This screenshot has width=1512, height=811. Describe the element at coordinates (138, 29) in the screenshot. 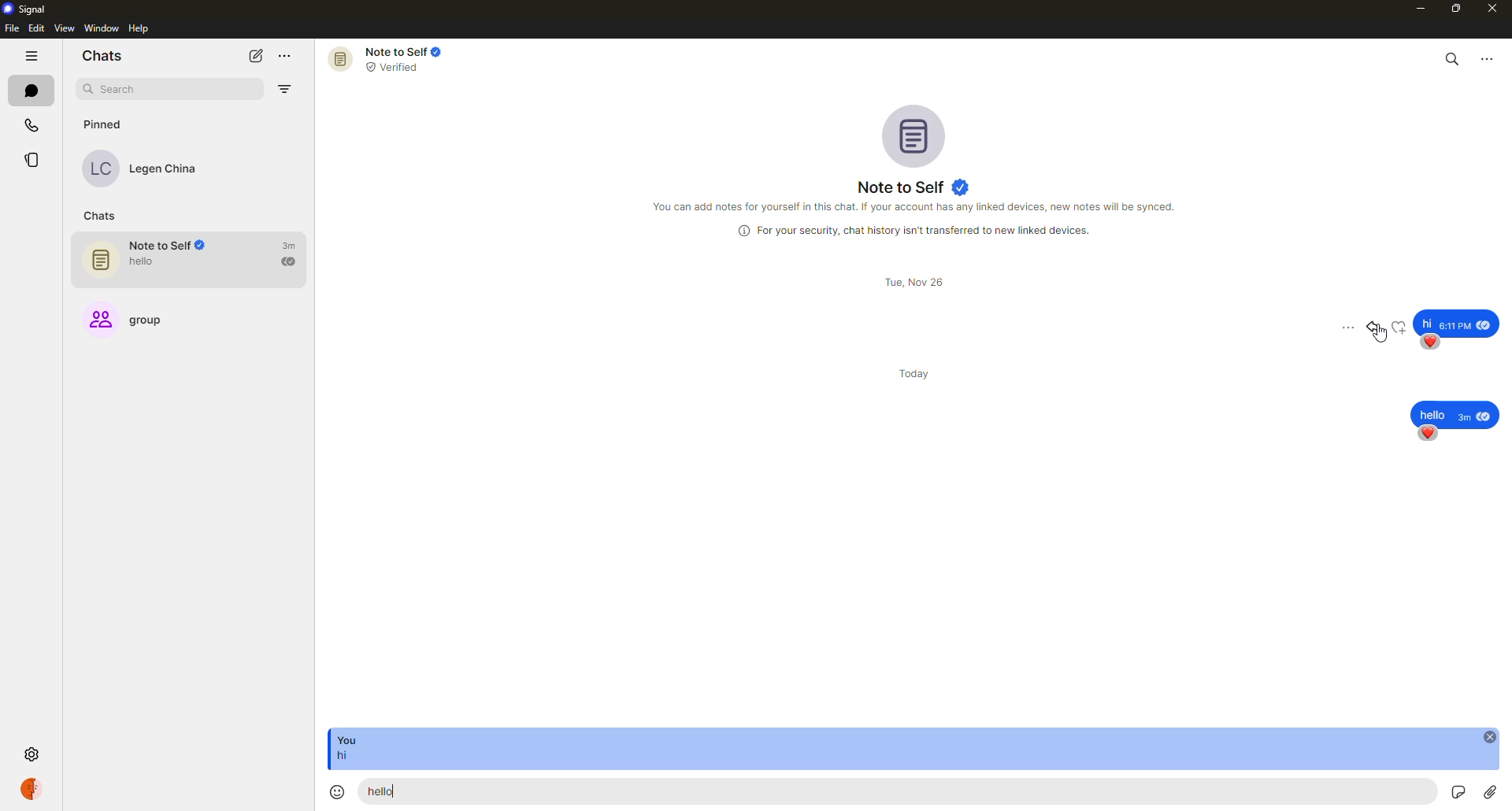

I see `help` at that location.